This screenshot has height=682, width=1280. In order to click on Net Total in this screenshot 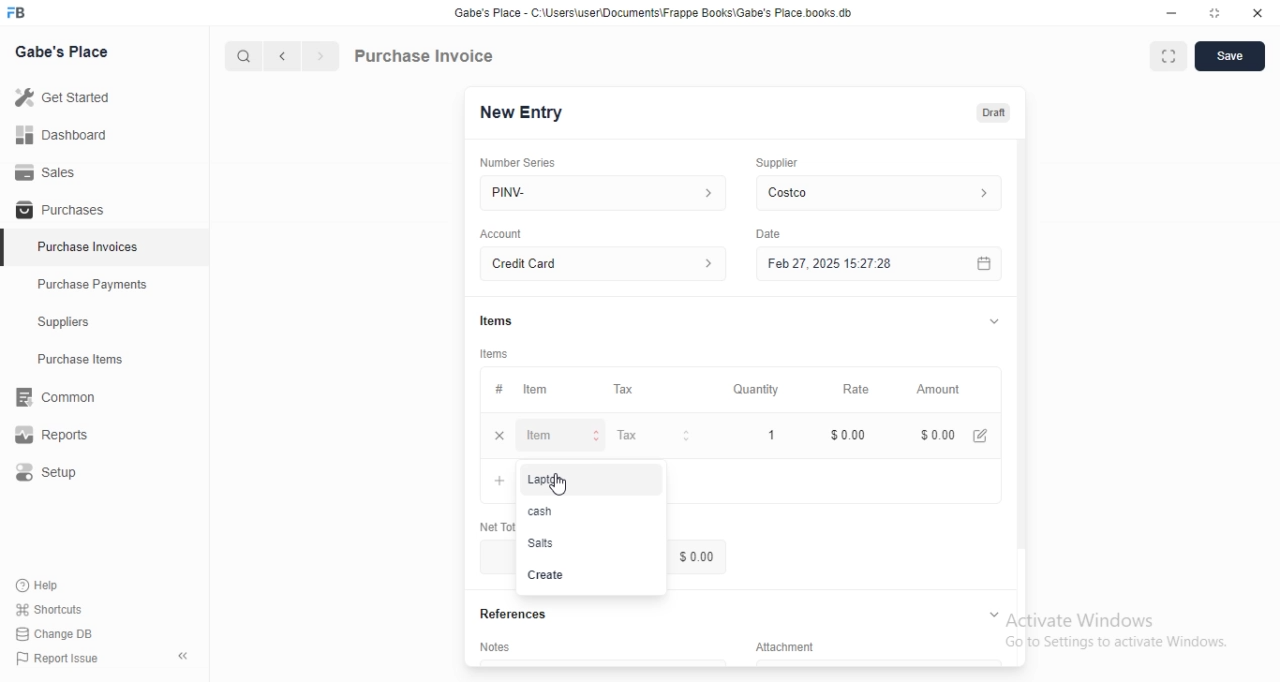, I will do `click(496, 526)`.